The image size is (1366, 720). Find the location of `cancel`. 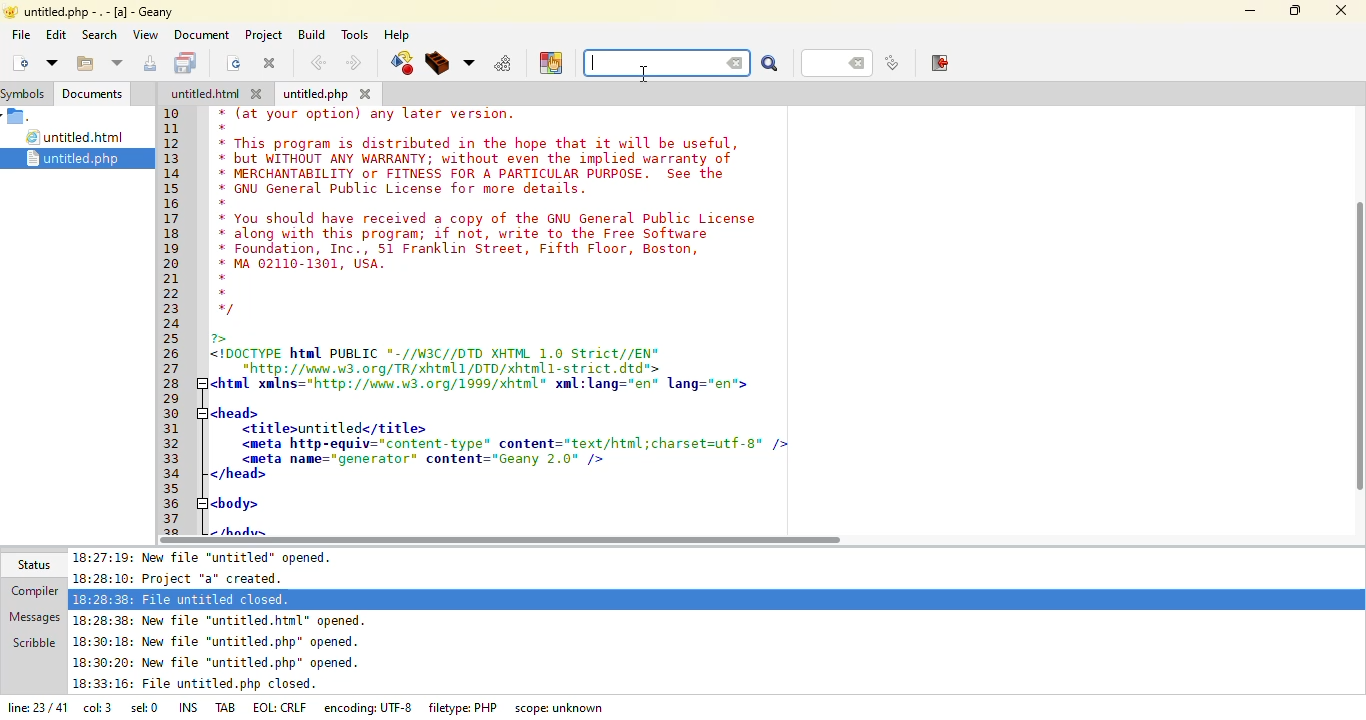

cancel is located at coordinates (736, 64).